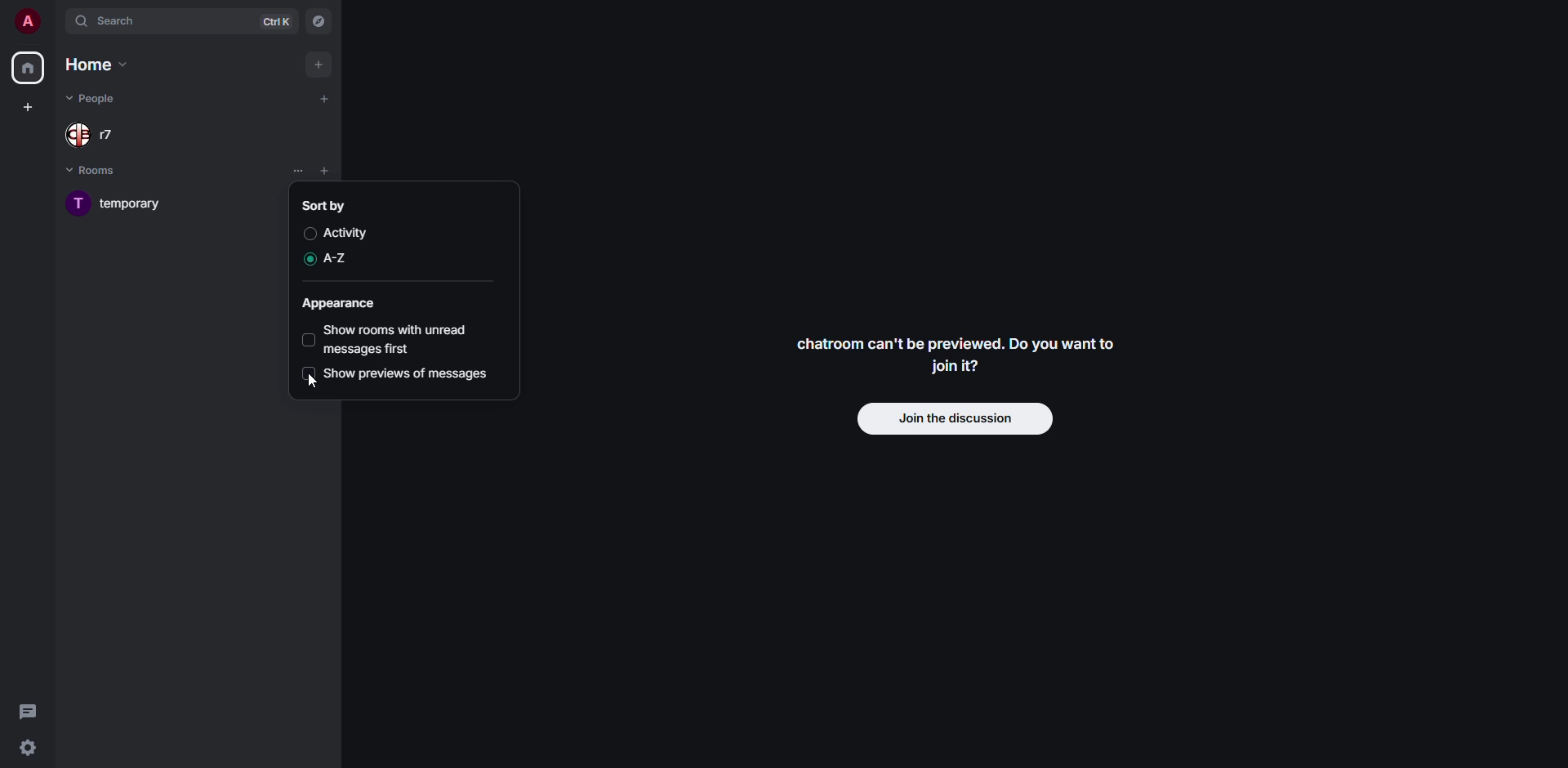  Describe the element at coordinates (29, 710) in the screenshot. I see `threads` at that location.